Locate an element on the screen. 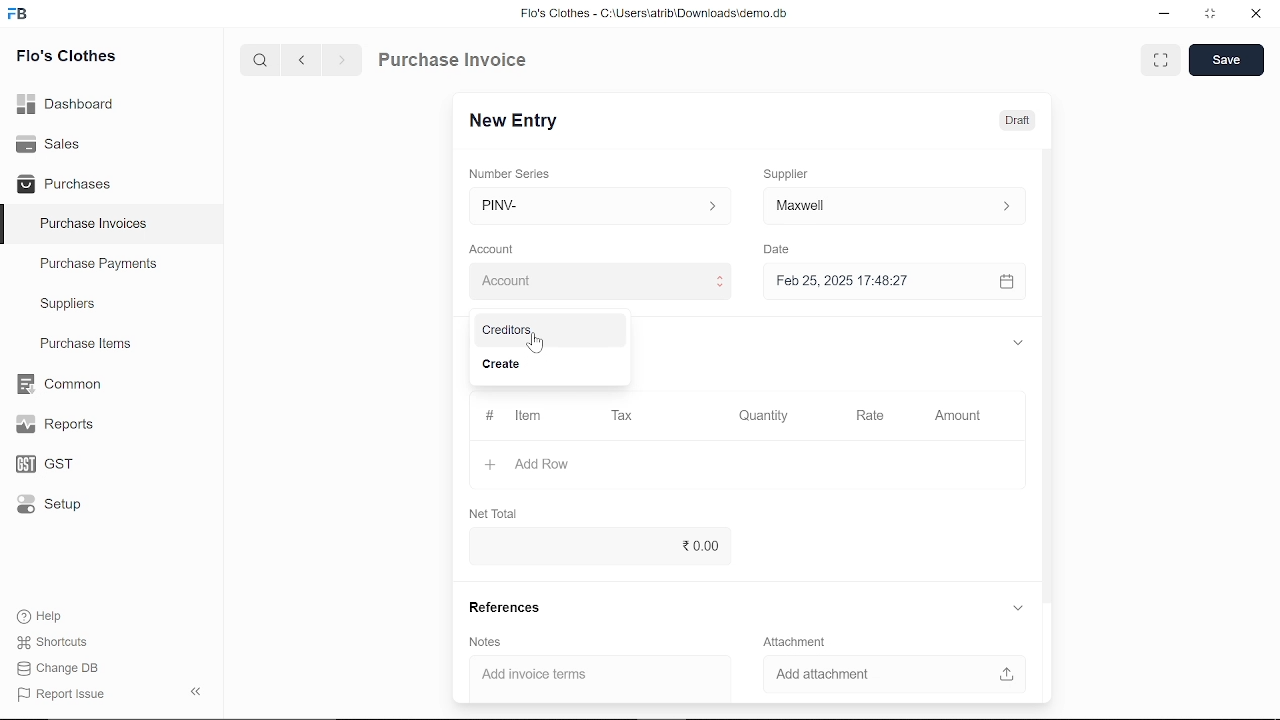 This screenshot has width=1280, height=720. Creditors, is located at coordinates (546, 331).